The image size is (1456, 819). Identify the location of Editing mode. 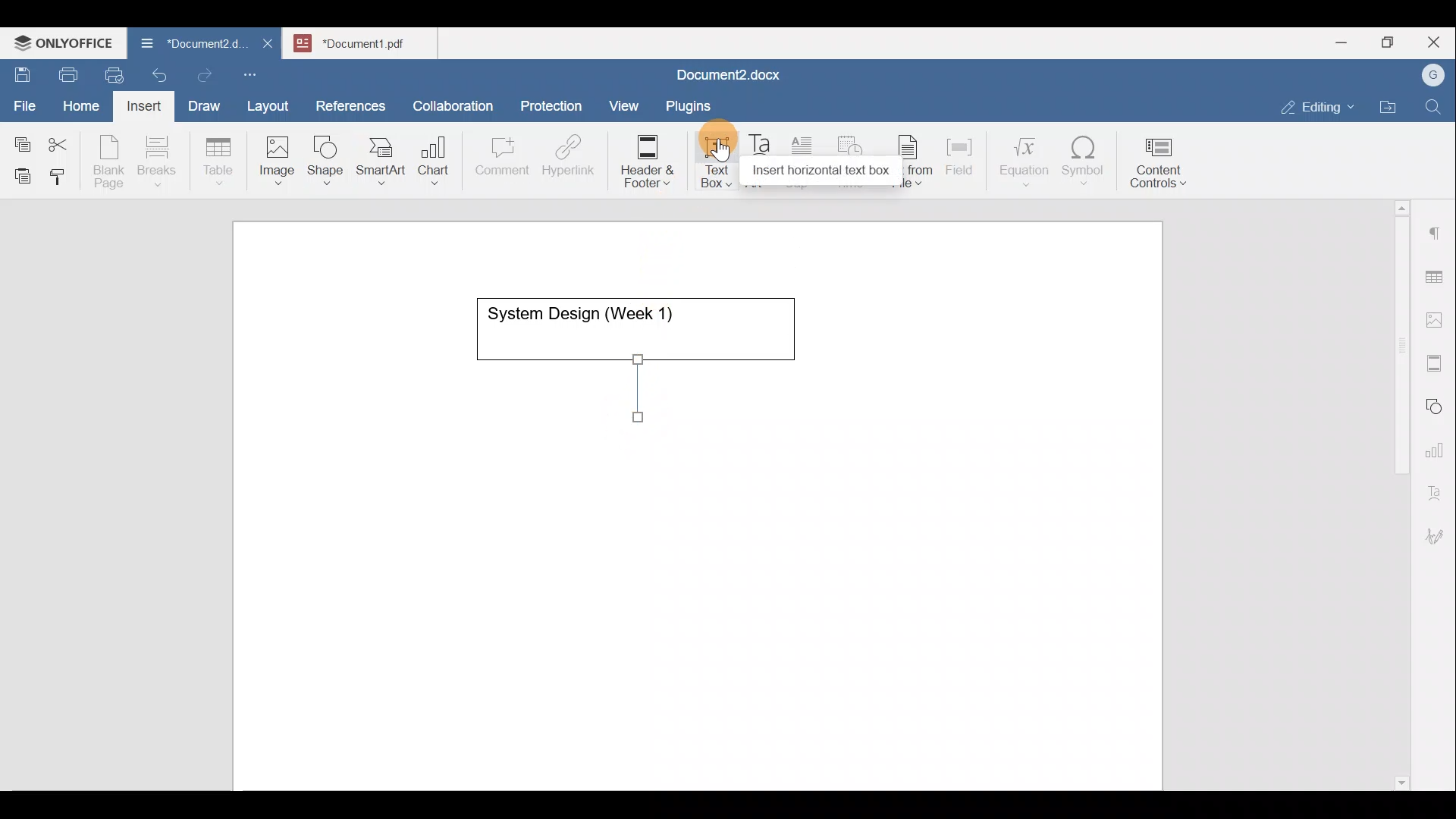
(1318, 104).